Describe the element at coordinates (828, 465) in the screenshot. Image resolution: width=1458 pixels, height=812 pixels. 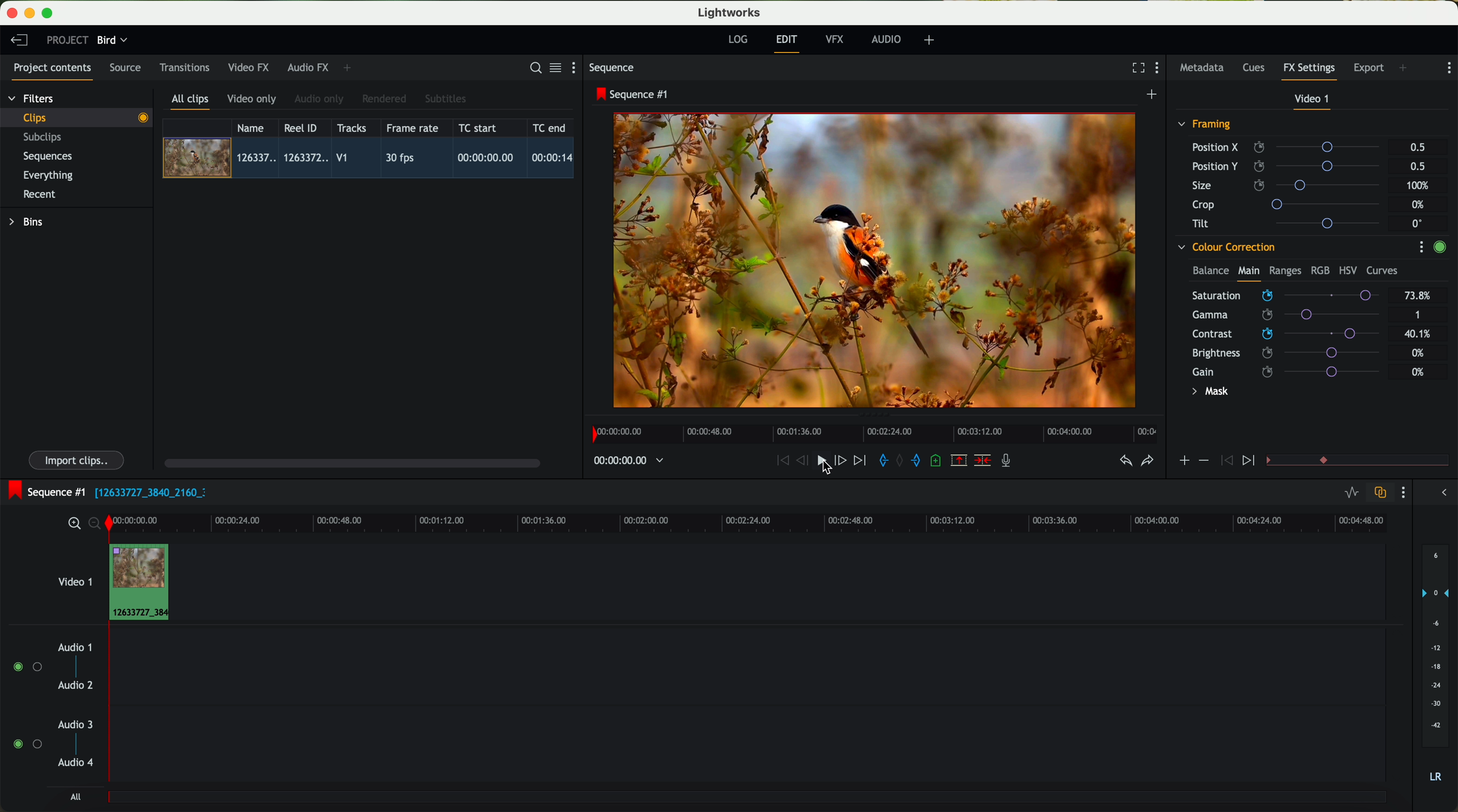
I see `click on play` at that location.